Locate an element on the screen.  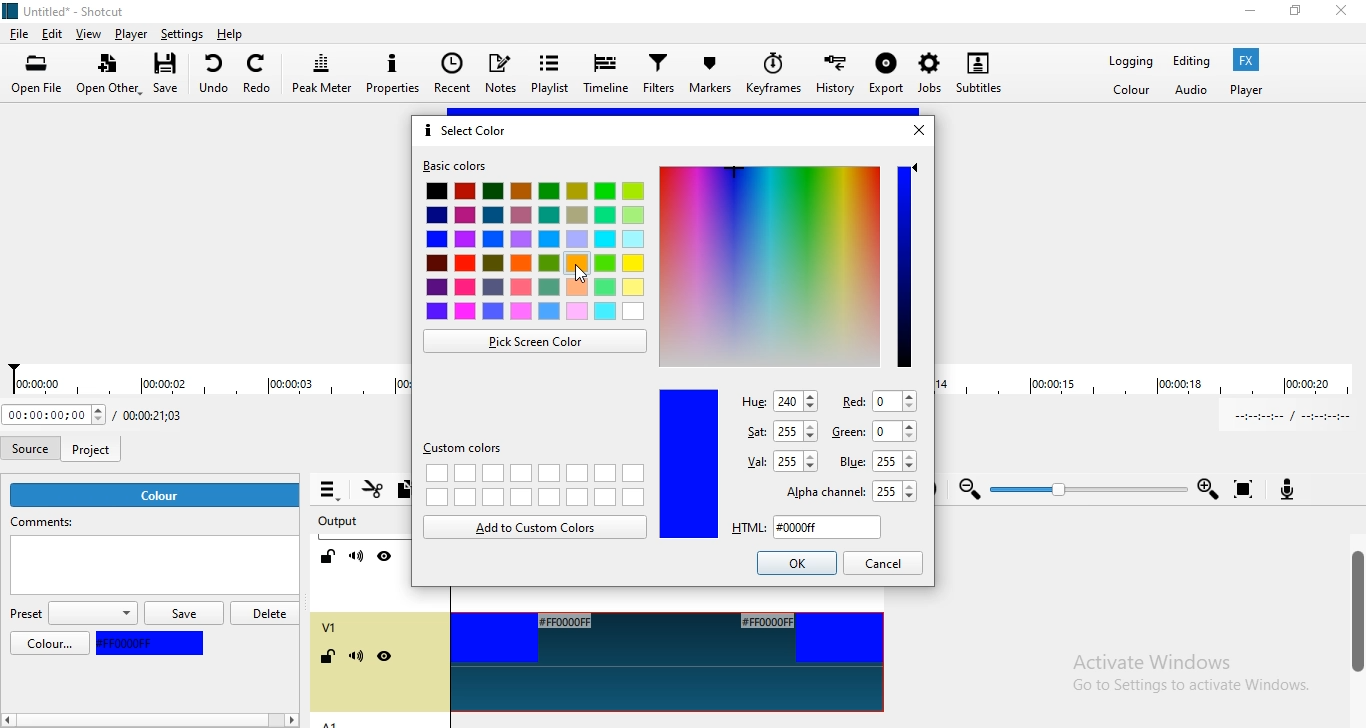
Zoom in is located at coordinates (1208, 490).